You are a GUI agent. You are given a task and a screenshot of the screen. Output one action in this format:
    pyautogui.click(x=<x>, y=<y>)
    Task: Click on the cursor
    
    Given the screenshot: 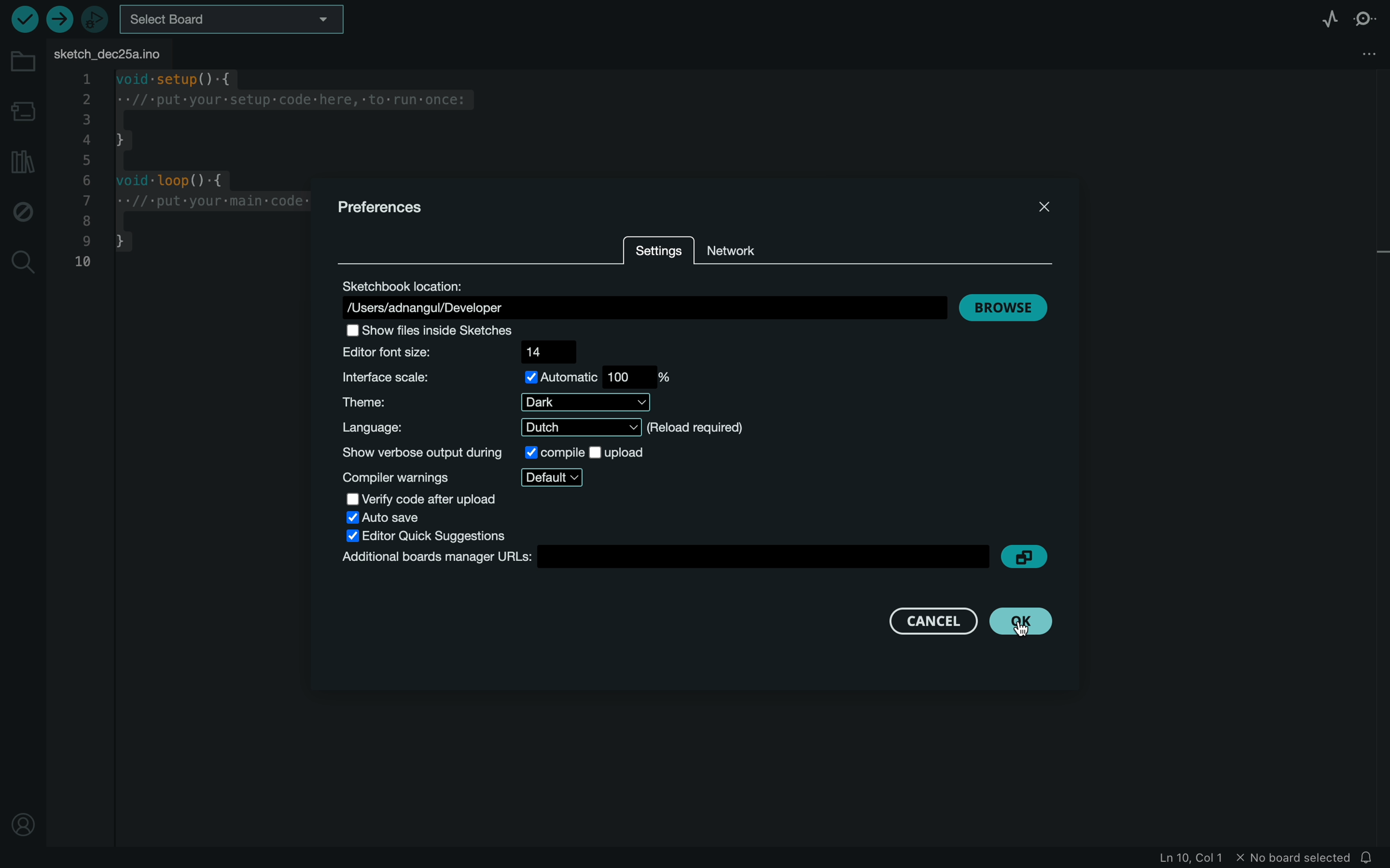 What is the action you would take?
    pyautogui.click(x=1026, y=626)
    